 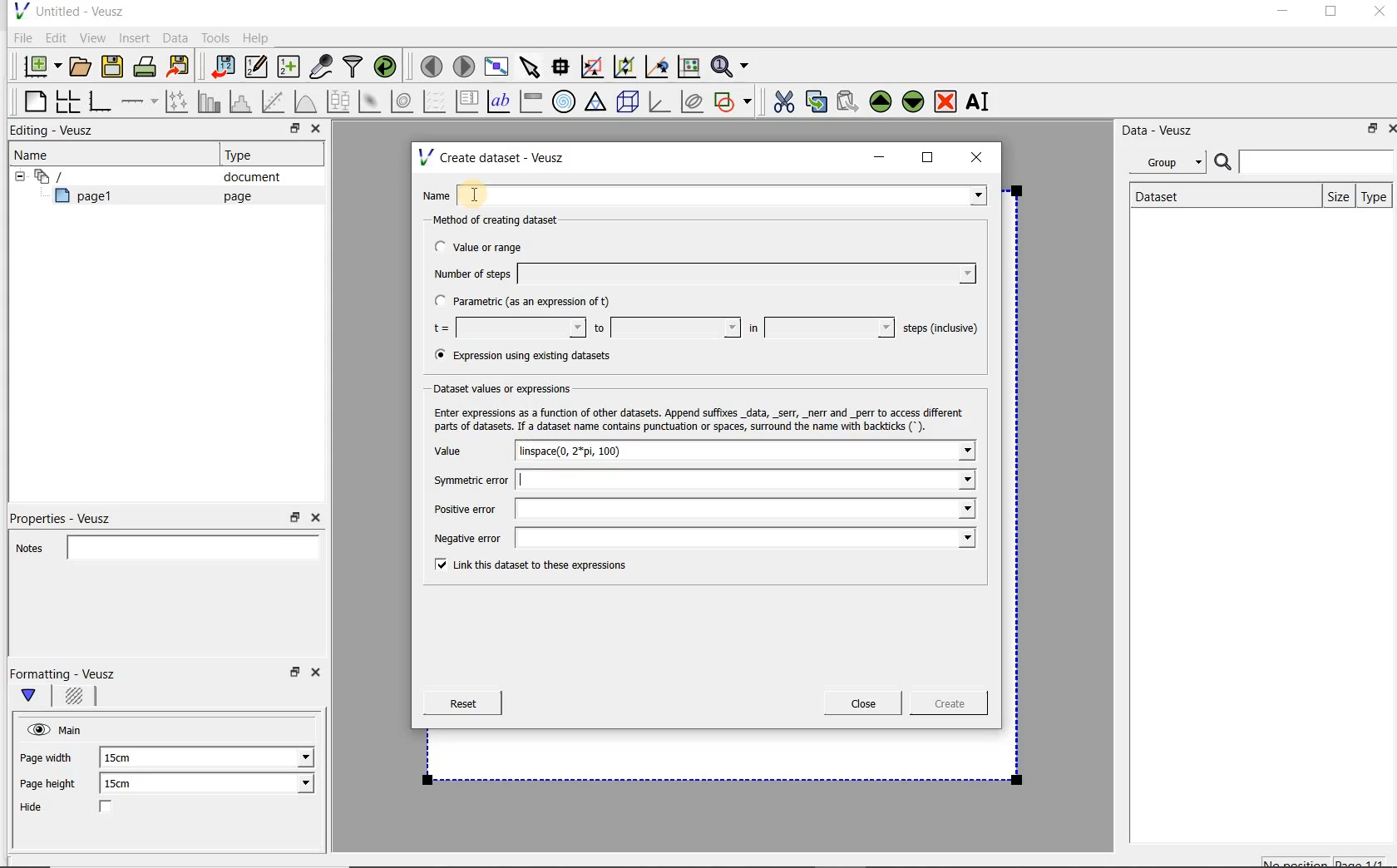 What do you see at coordinates (982, 156) in the screenshot?
I see `close` at bounding box center [982, 156].